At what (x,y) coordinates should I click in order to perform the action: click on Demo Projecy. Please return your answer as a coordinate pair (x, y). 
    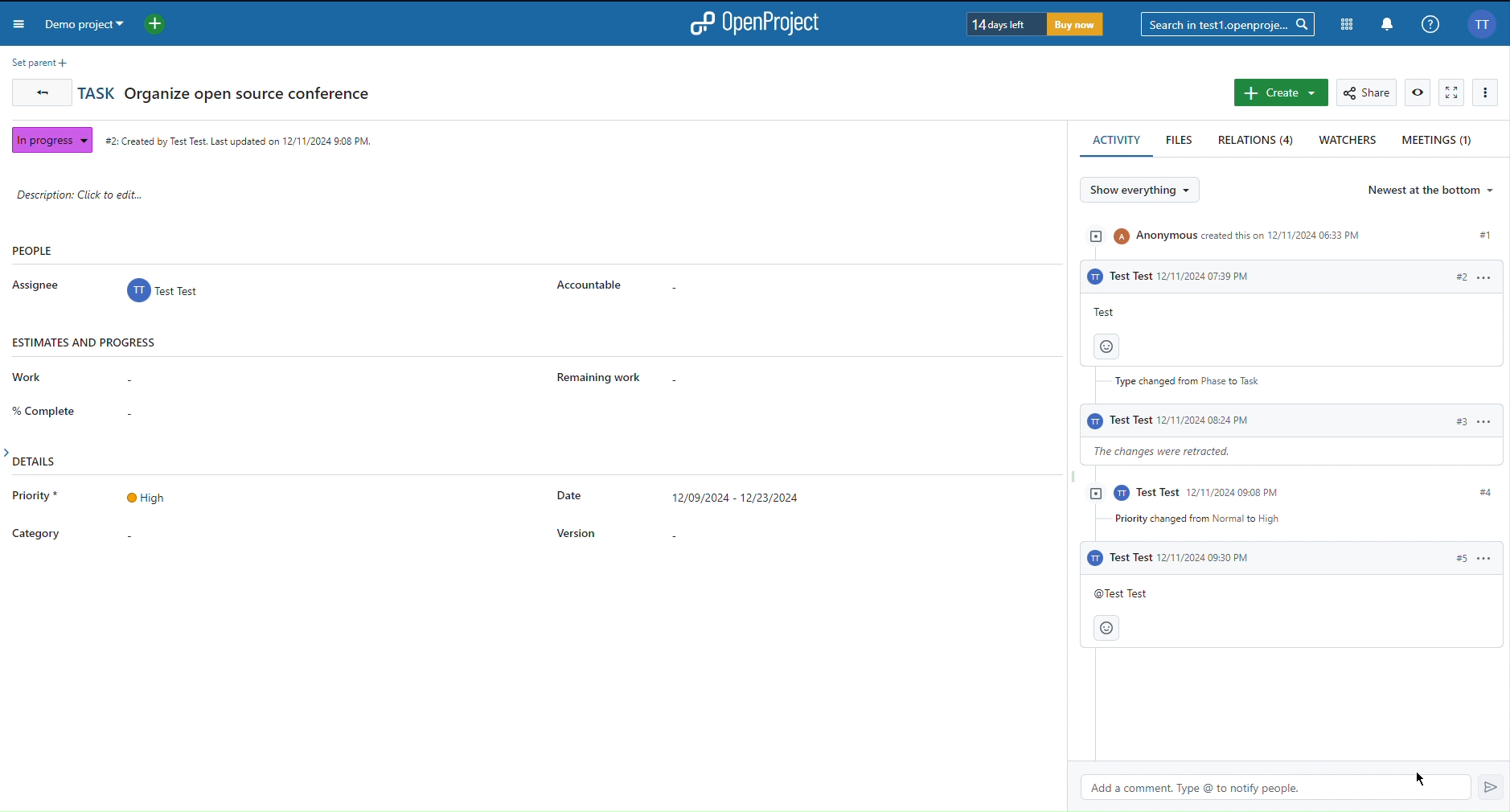
    Looking at the image, I should click on (107, 23).